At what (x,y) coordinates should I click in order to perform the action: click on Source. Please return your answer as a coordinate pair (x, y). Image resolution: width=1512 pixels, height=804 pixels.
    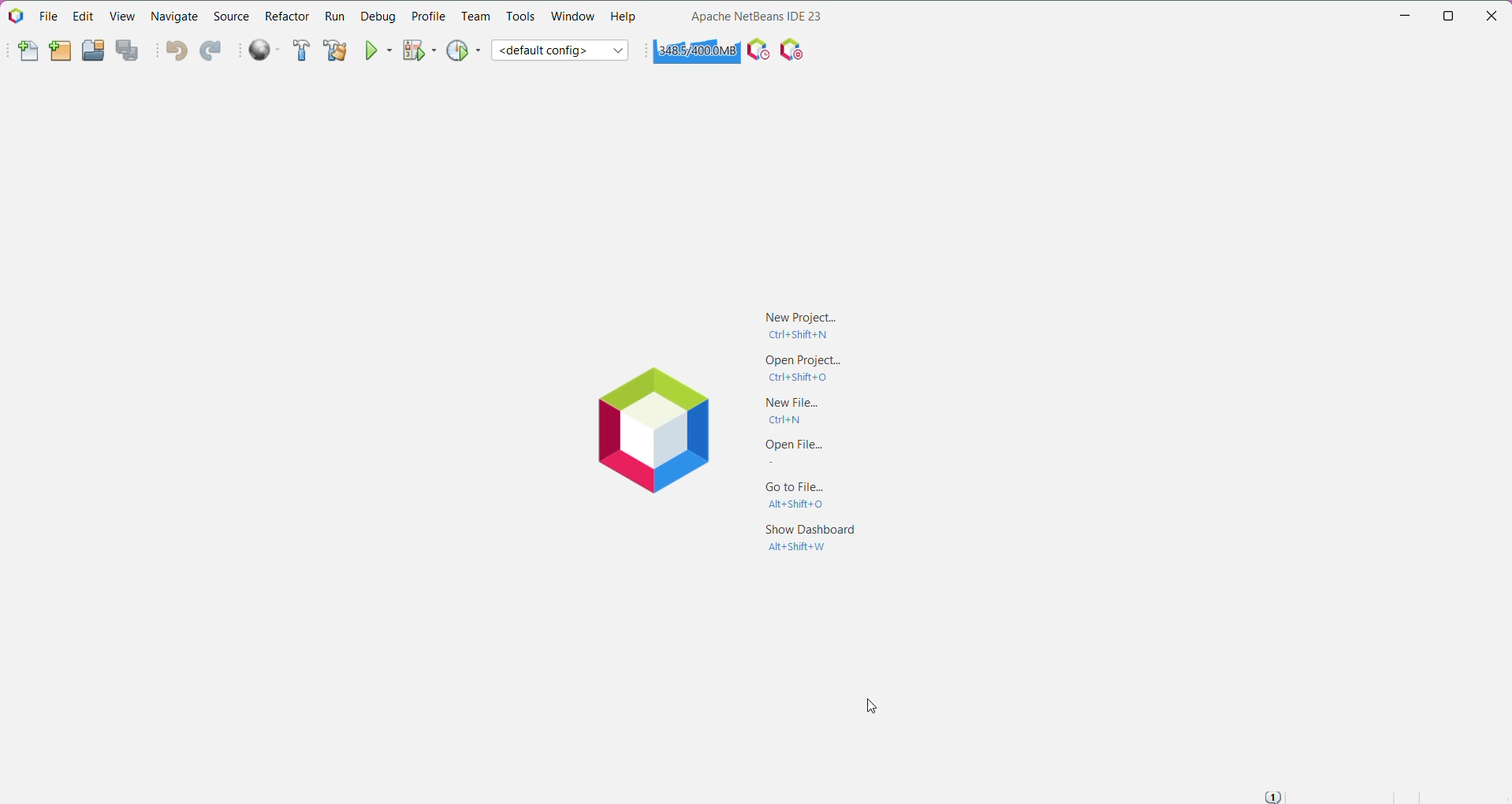
    Looking at the image, I should click on (231, 17).